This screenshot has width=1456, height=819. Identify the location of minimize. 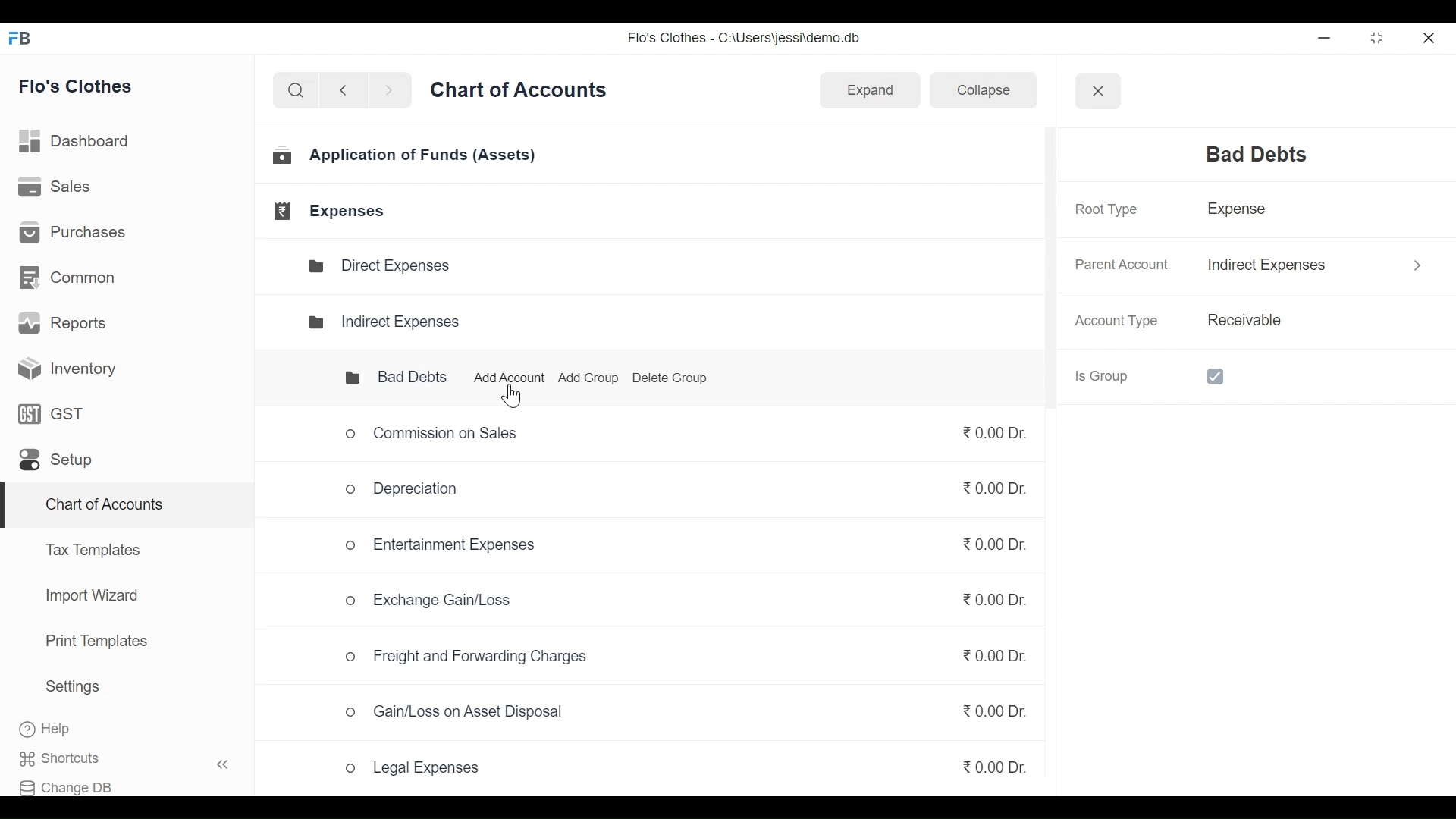
(1327, 38).